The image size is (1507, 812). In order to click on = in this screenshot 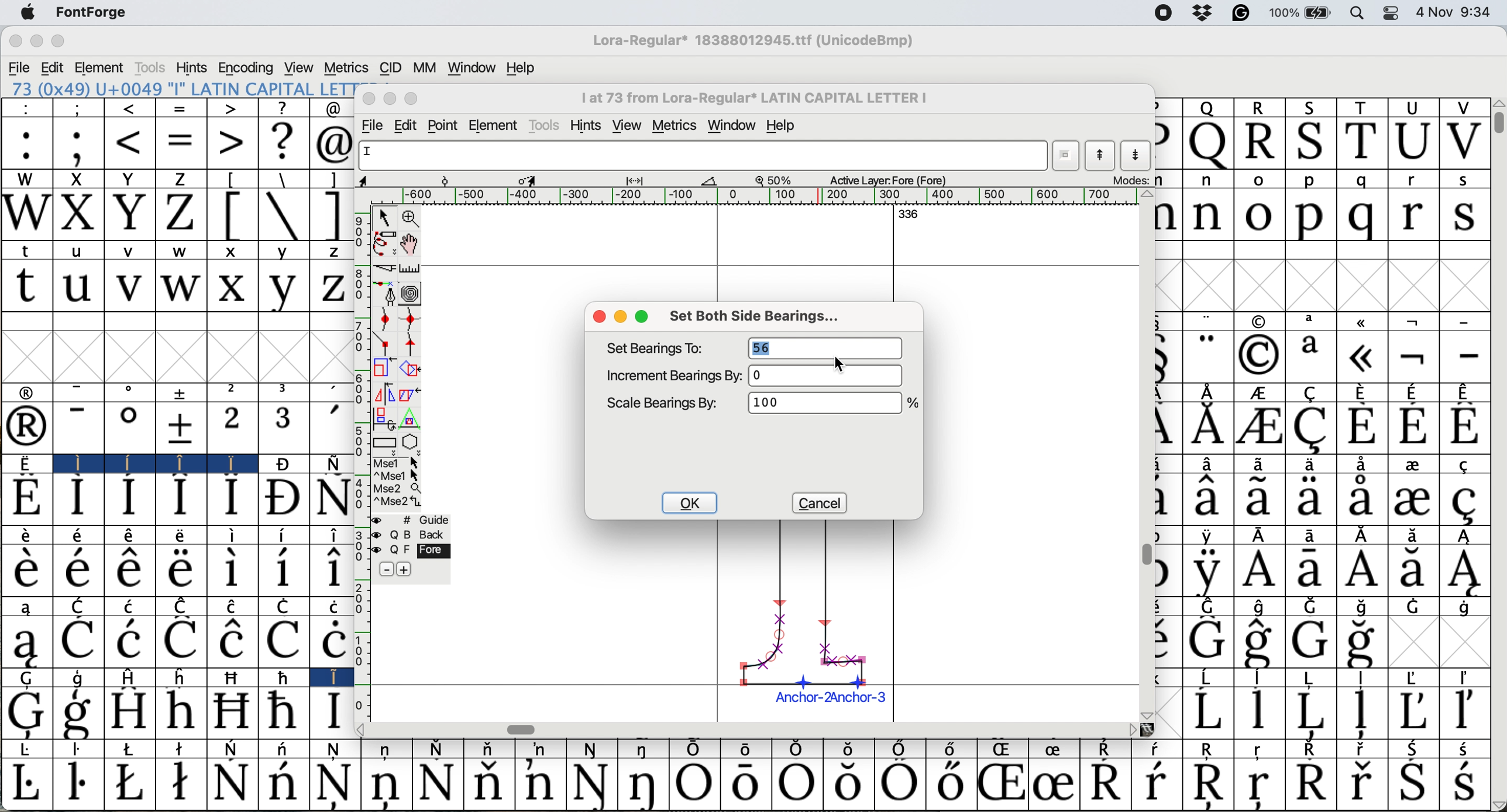, I will do `click(183, 109)`.